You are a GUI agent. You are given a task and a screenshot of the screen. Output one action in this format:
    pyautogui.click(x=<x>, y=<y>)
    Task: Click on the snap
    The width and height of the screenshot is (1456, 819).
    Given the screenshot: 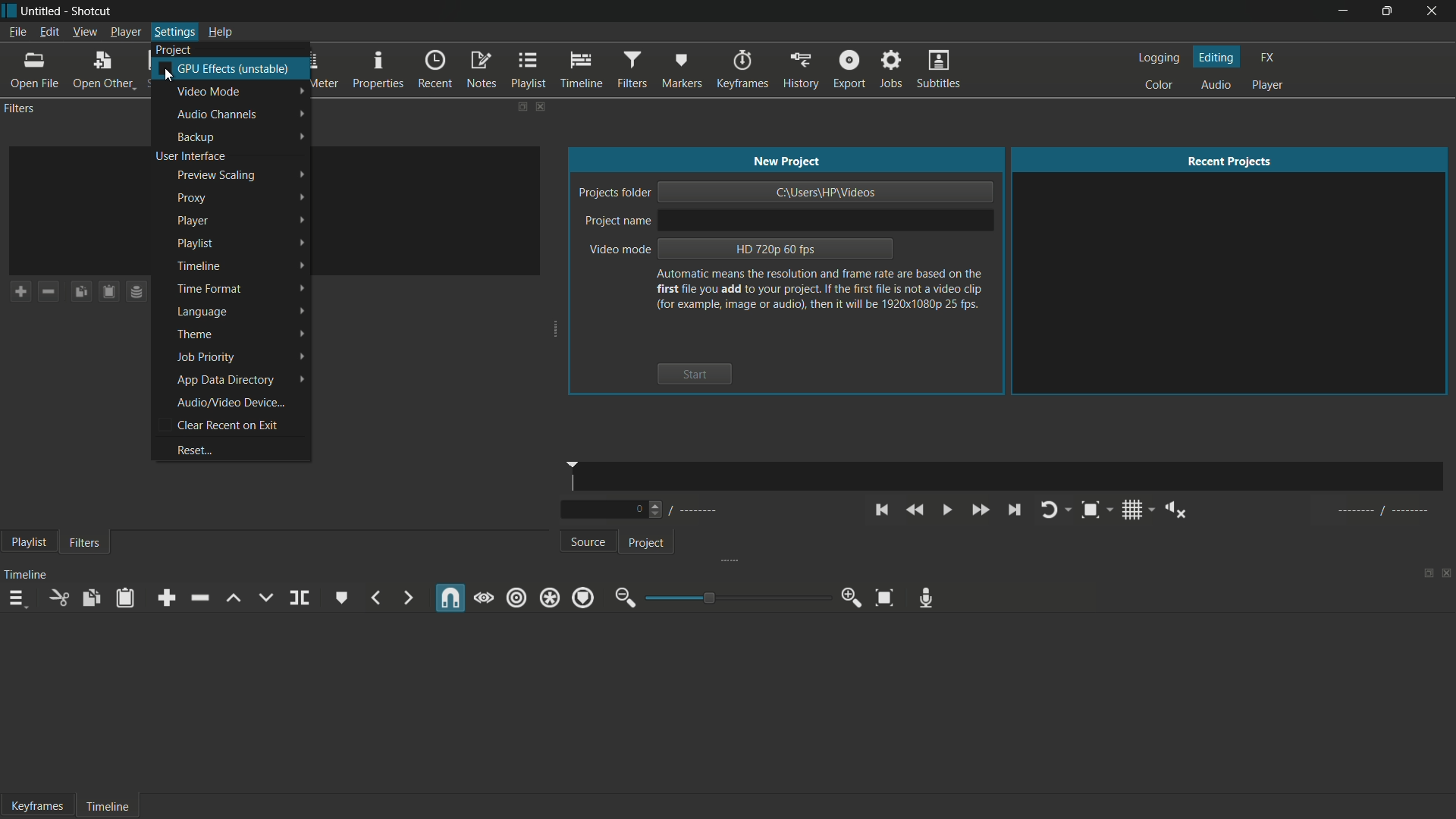 What is the action you would take?
    pyautogui.click(x=451, y=598)
    